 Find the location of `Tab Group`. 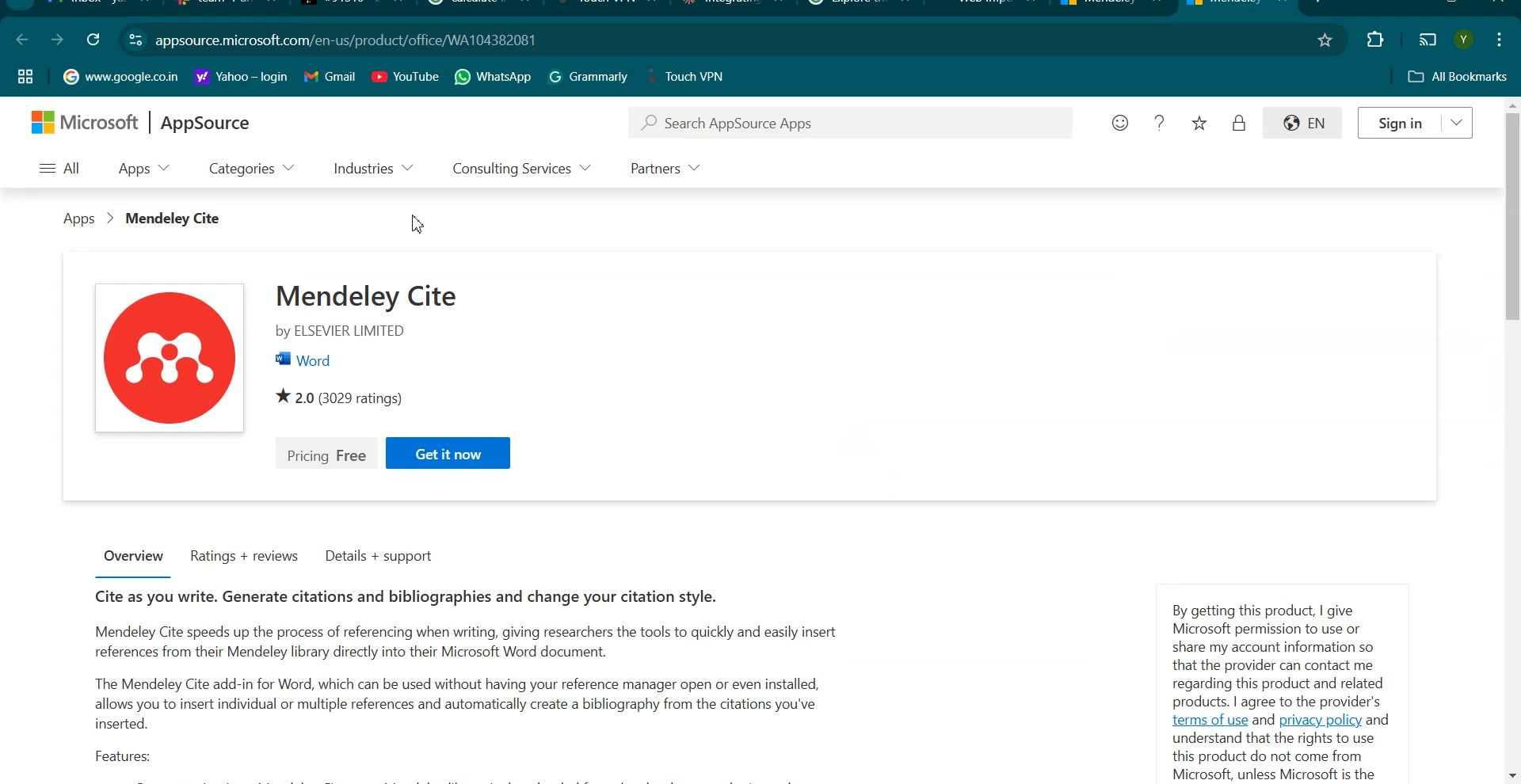

Tab Group is located at coordinates (26, 76).